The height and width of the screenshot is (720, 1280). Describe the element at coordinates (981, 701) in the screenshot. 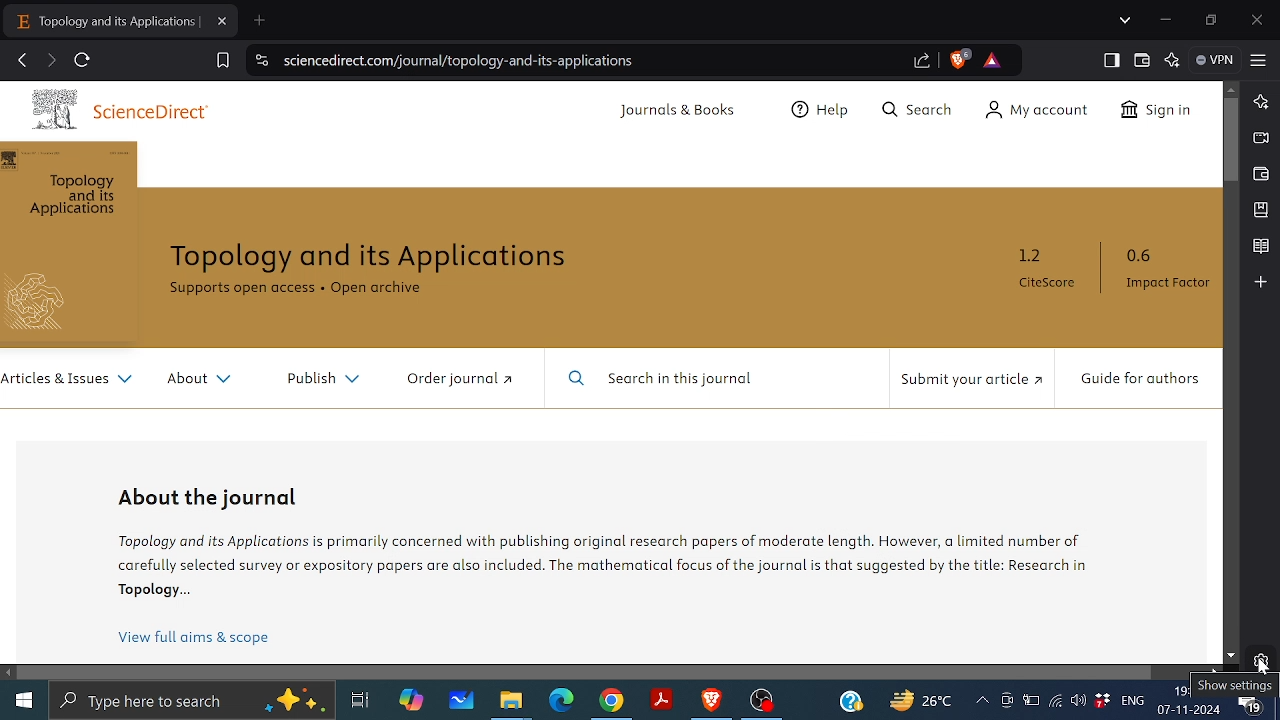

I see `Show hidden icons` at that location.